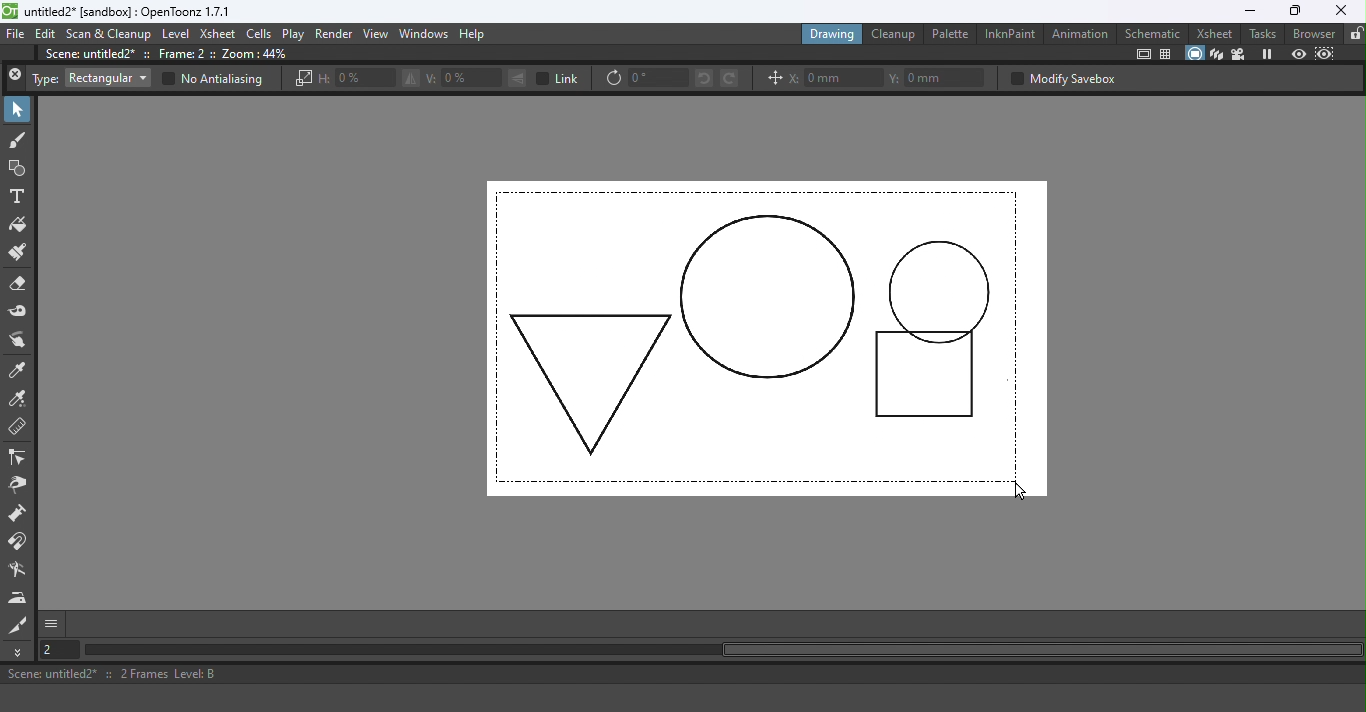 This screenshot has width=1366, height=712. I want to click on More tools, so click(20, 652).